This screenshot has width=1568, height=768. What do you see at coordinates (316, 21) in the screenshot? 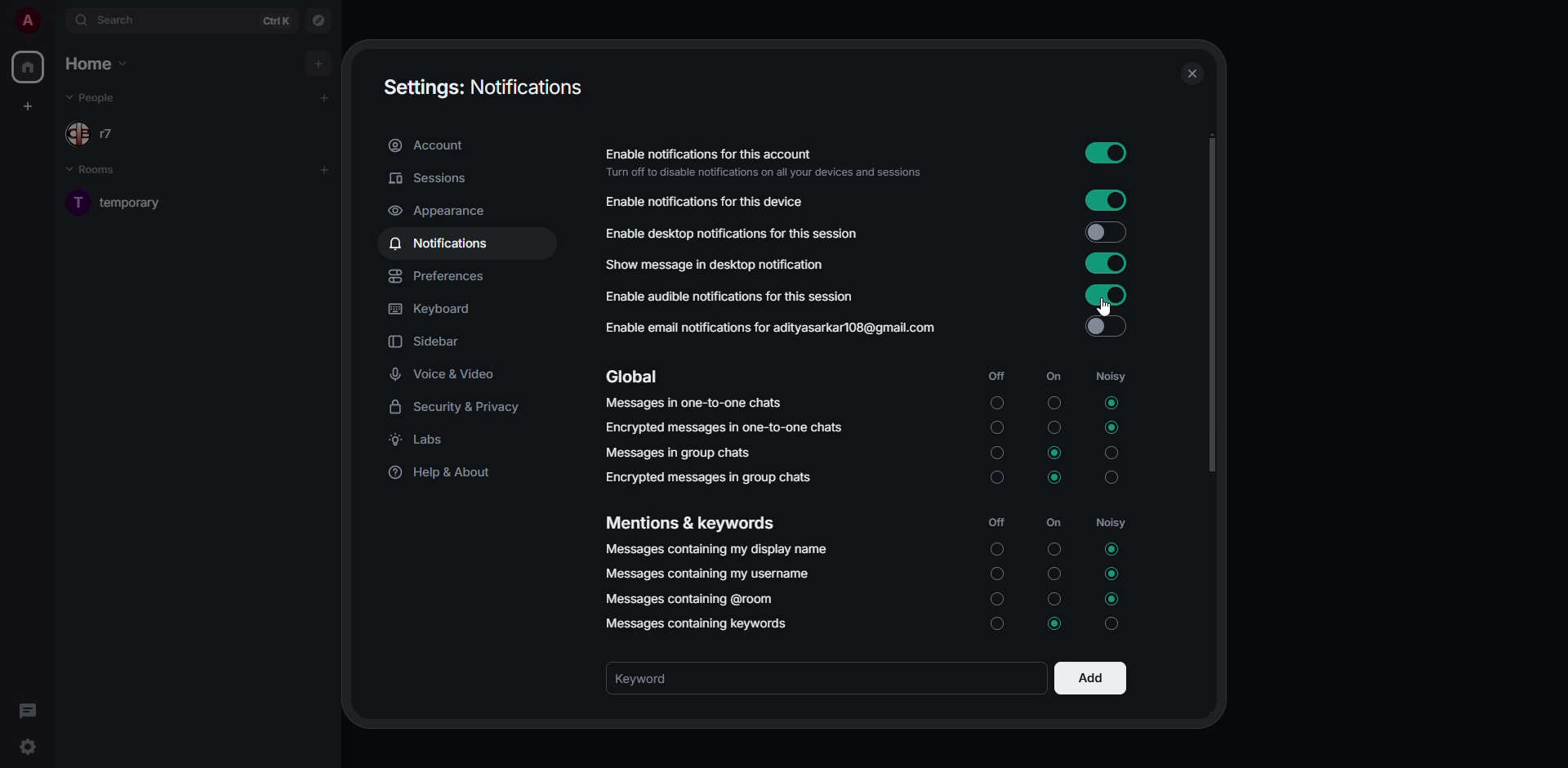
I see `navigator` at bounding box center [316, 21].